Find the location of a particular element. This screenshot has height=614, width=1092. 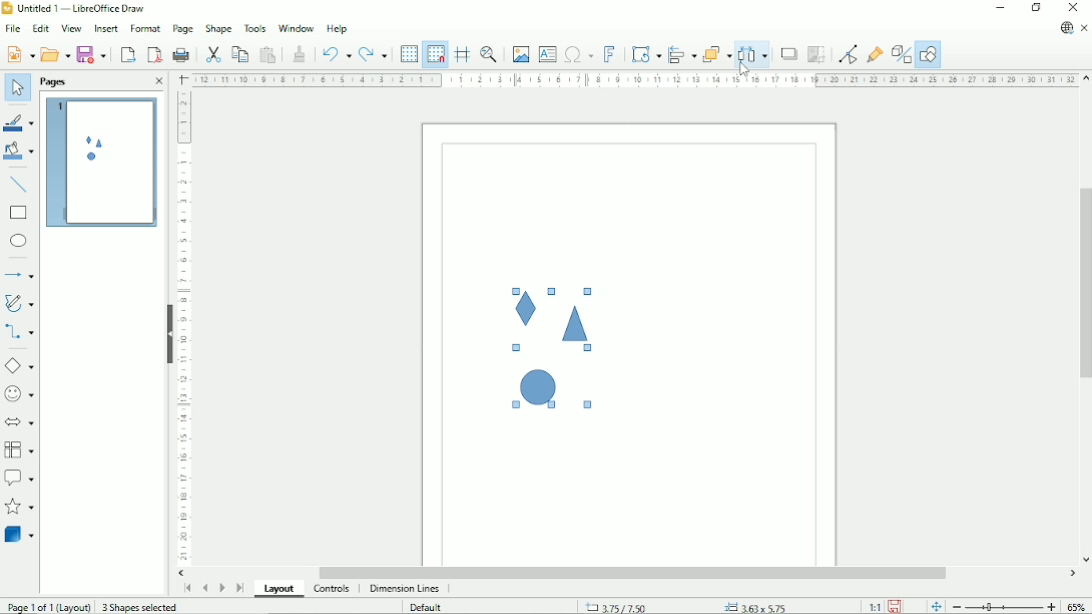

Helplines while moving is located at coordinates (461, 54).